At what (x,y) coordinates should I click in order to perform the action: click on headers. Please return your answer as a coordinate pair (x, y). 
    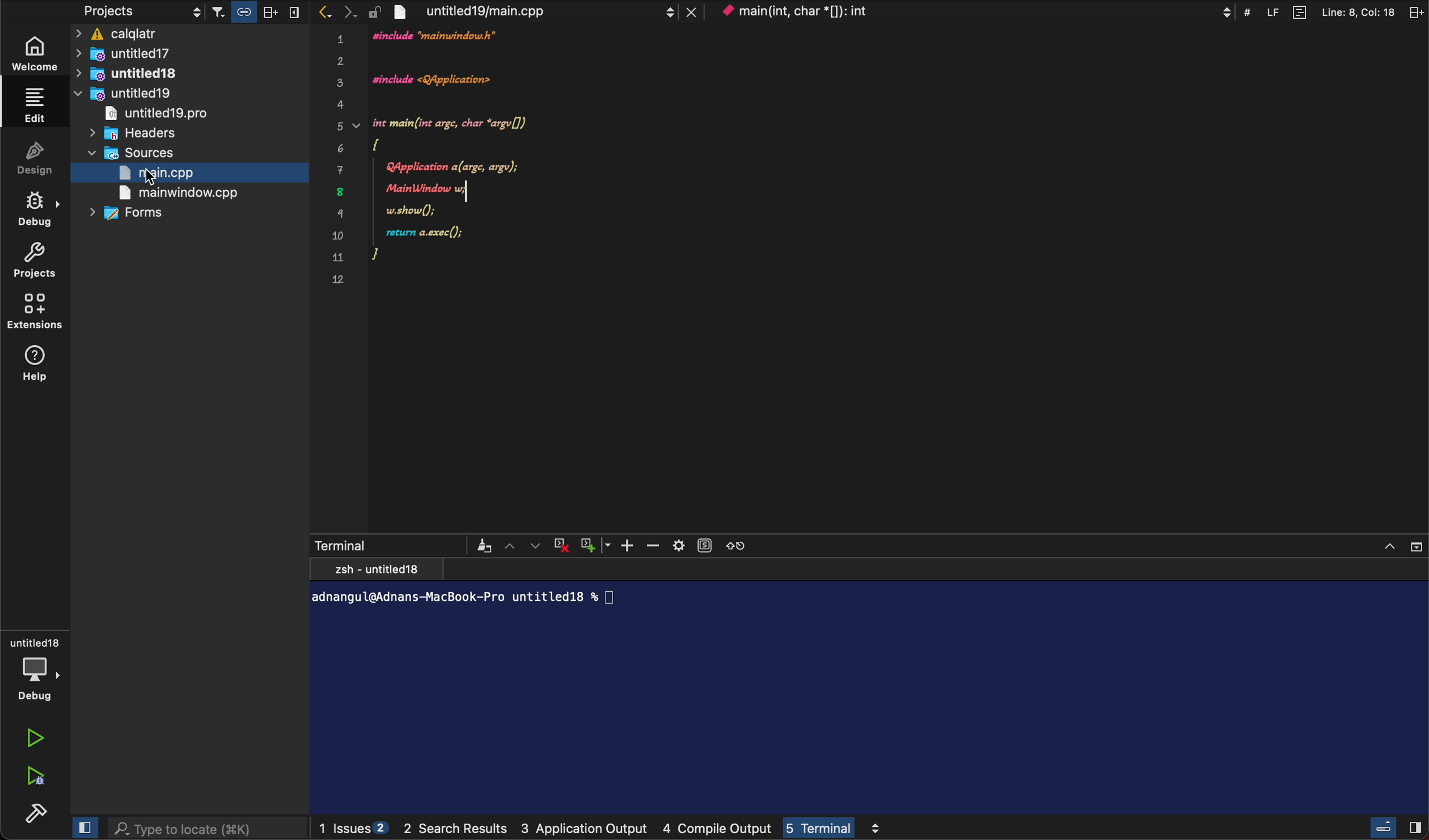
    Looking at the image, I should click on (139, 133).